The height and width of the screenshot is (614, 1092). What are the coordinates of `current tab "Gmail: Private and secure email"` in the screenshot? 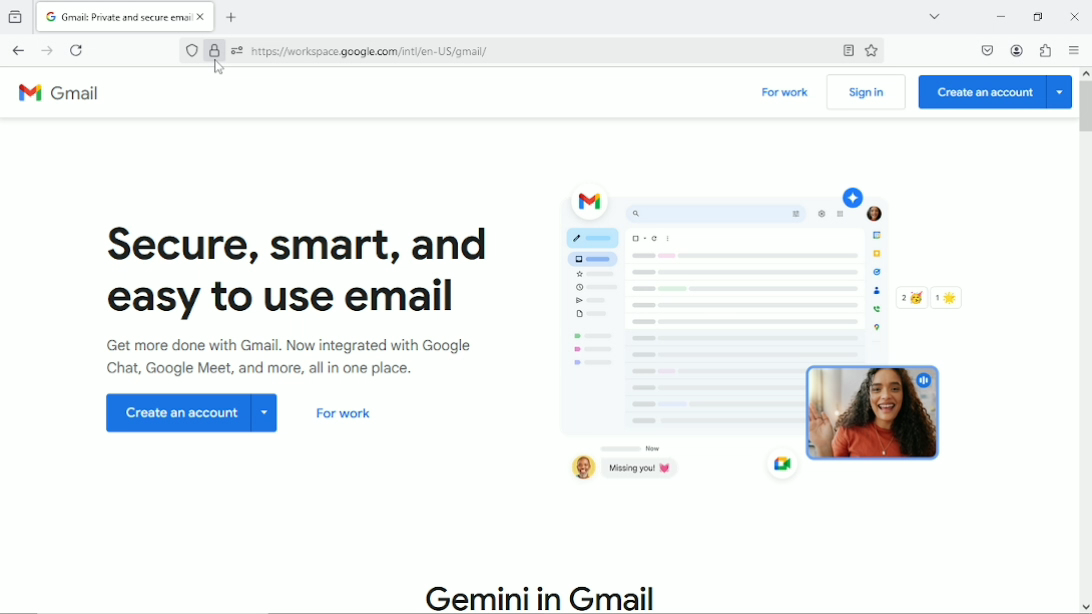 It's located at (116, 16).